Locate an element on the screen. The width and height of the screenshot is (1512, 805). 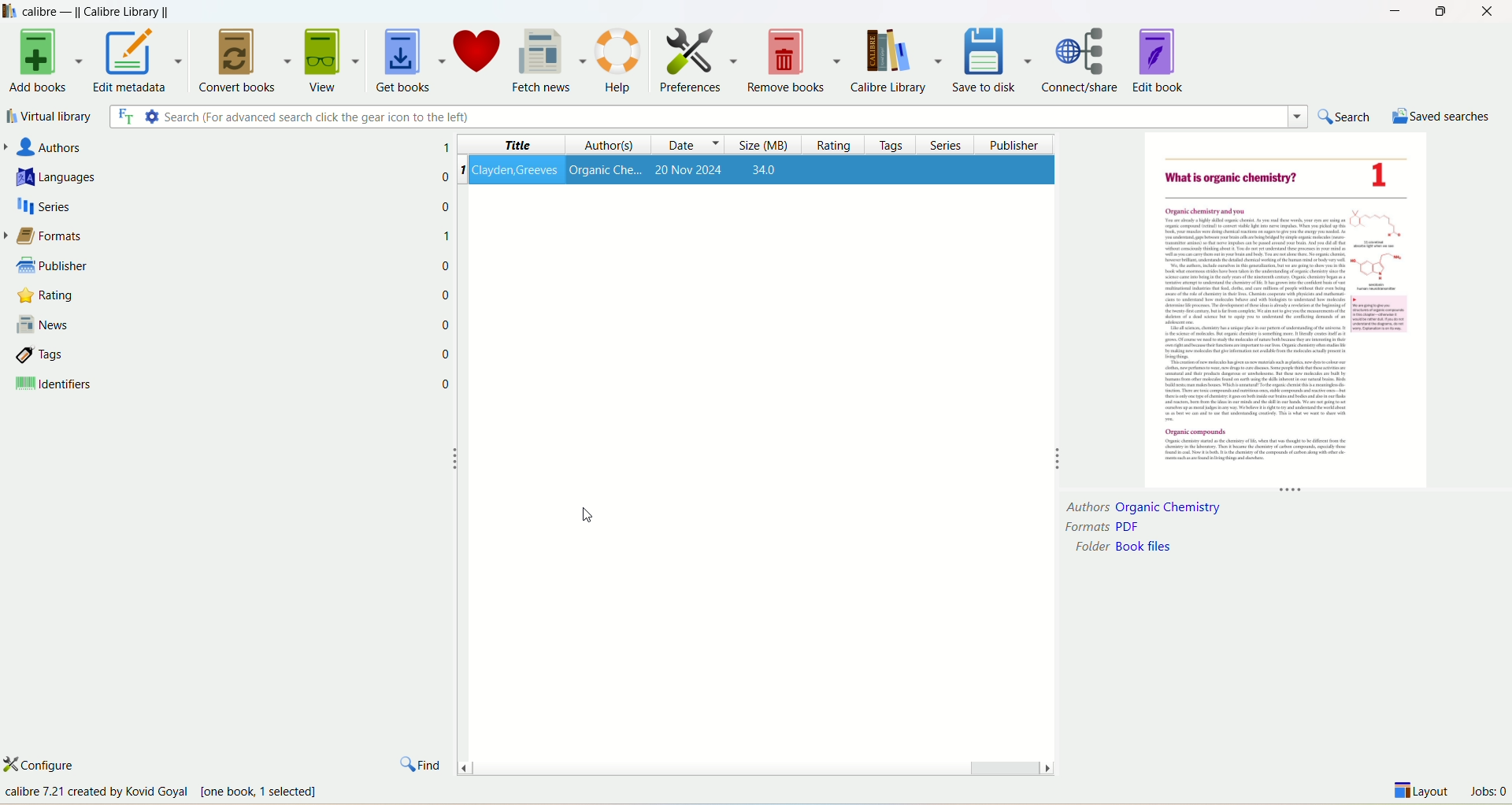
tags is located at coordinates (883, 146).